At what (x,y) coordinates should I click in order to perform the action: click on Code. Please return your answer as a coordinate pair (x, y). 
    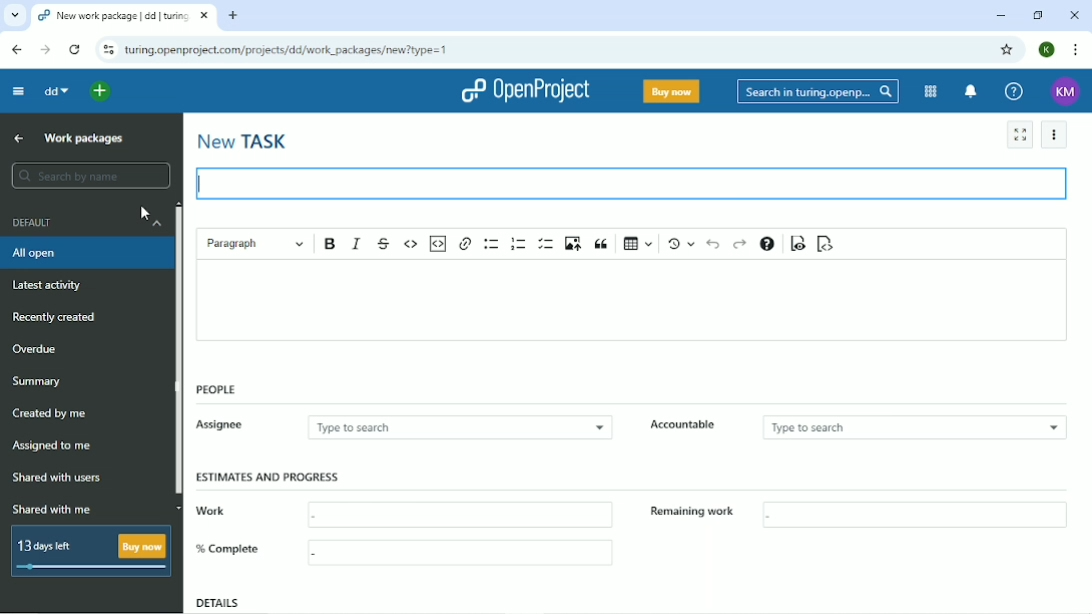
    Looking at the image, I should click on (411, 243).